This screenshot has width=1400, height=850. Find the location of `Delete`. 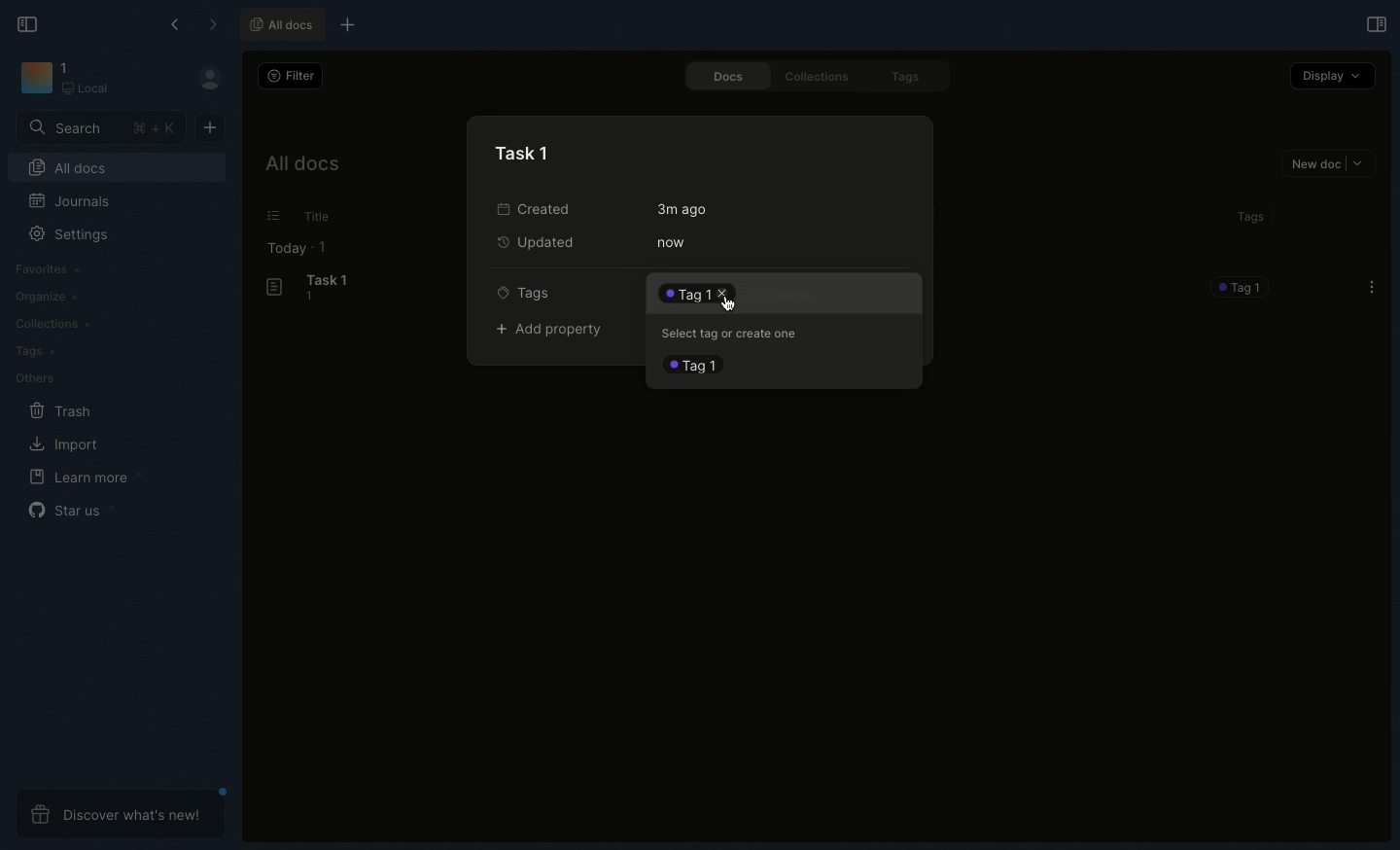

Delete is located at coordinates (689, 293).